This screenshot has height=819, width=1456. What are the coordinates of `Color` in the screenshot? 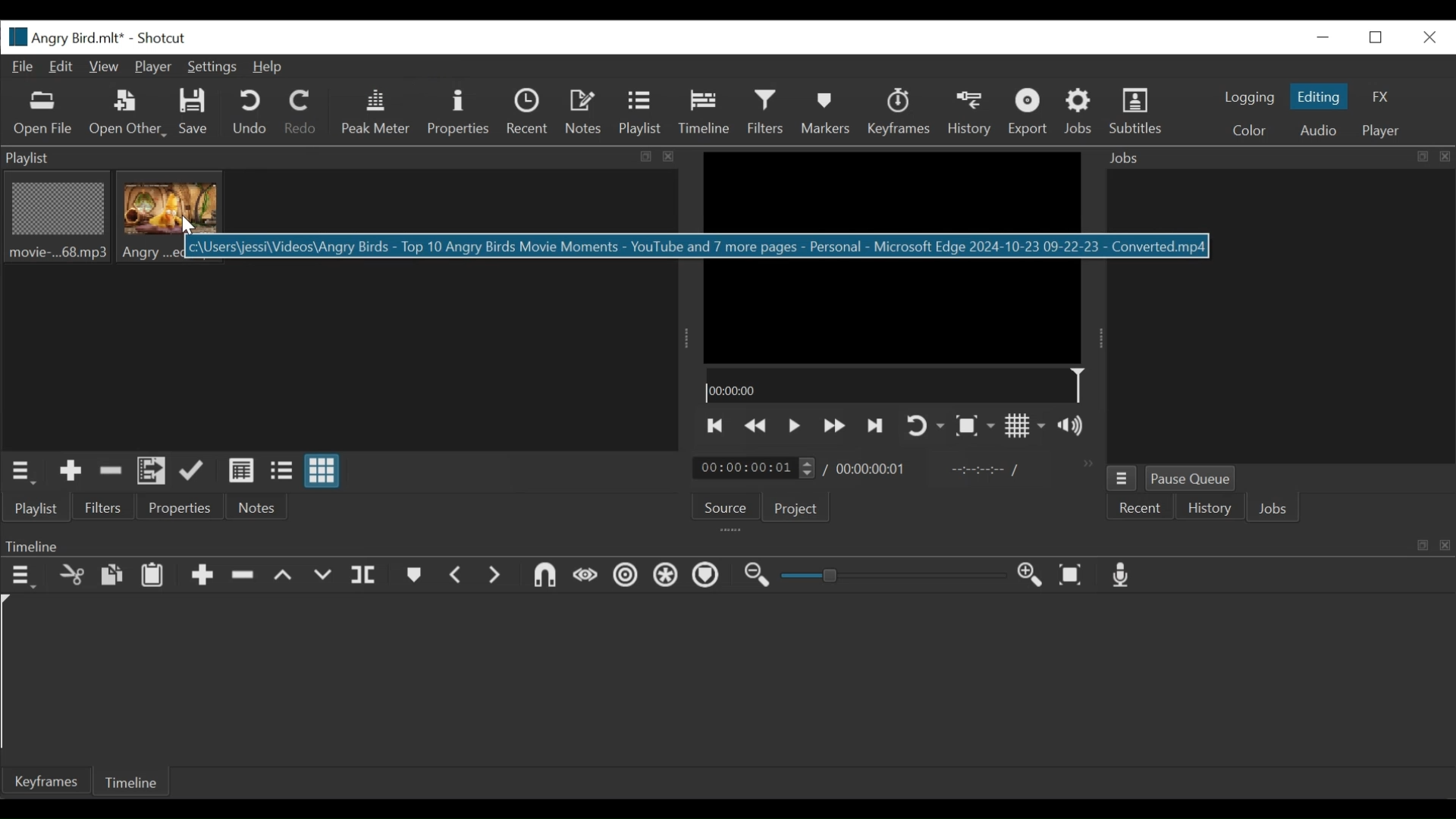 It's located at (1253, 130).